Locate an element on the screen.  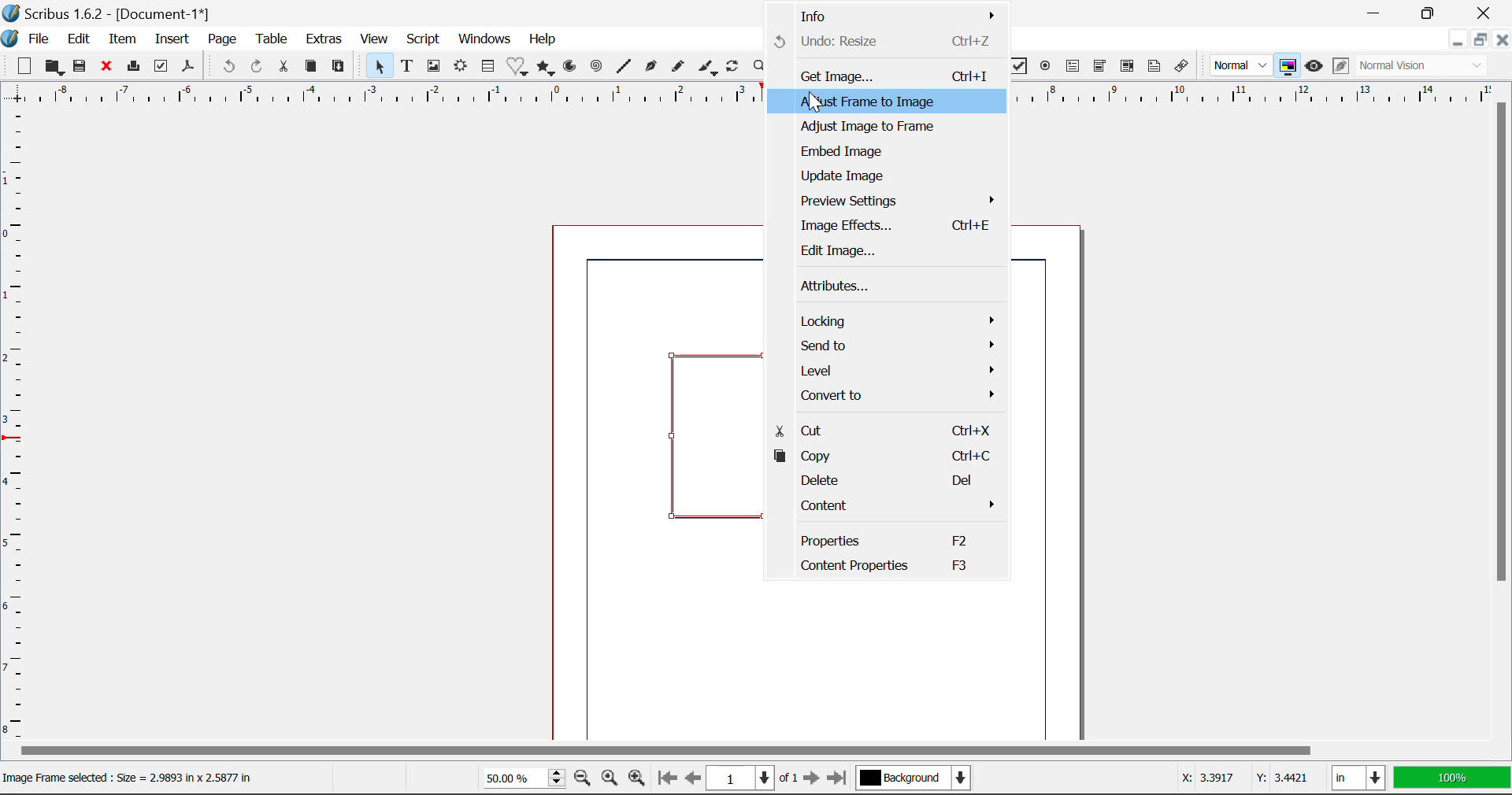
Horizontal Scroll Bar is located at coordinates (753, 752).